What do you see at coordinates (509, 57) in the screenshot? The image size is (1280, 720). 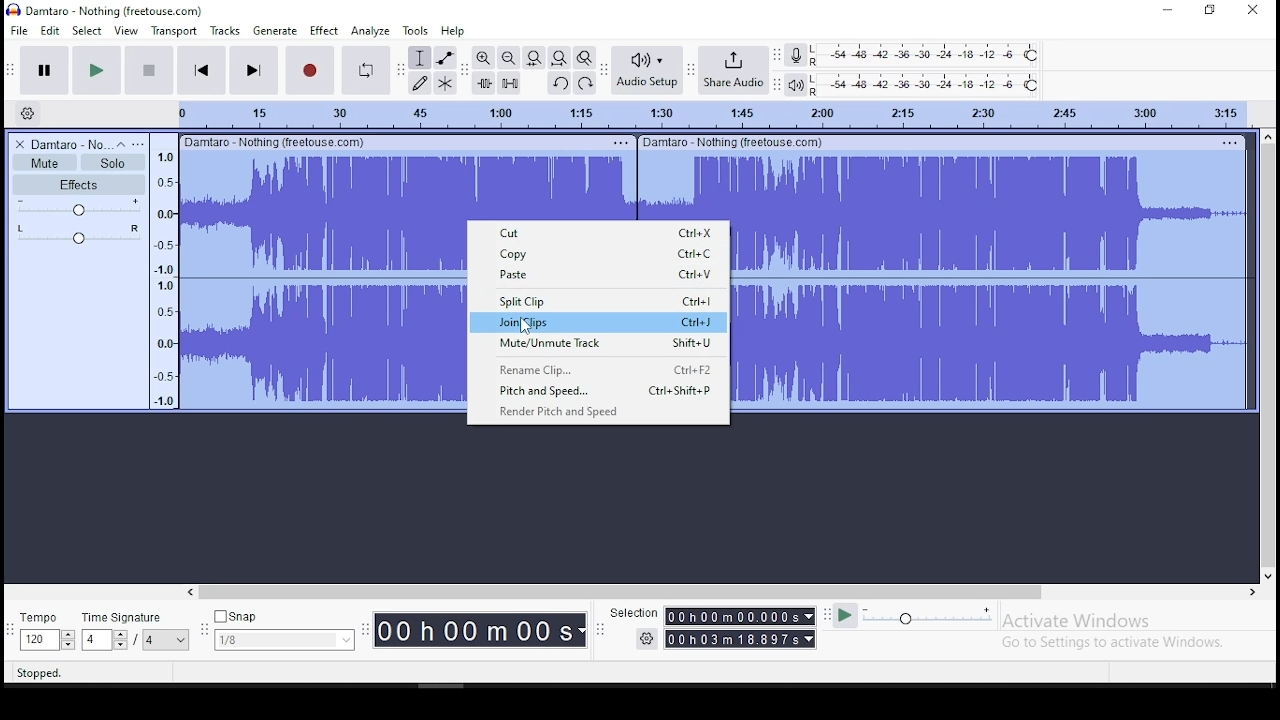 I see `zoom out` at bounding box center [509, 57].